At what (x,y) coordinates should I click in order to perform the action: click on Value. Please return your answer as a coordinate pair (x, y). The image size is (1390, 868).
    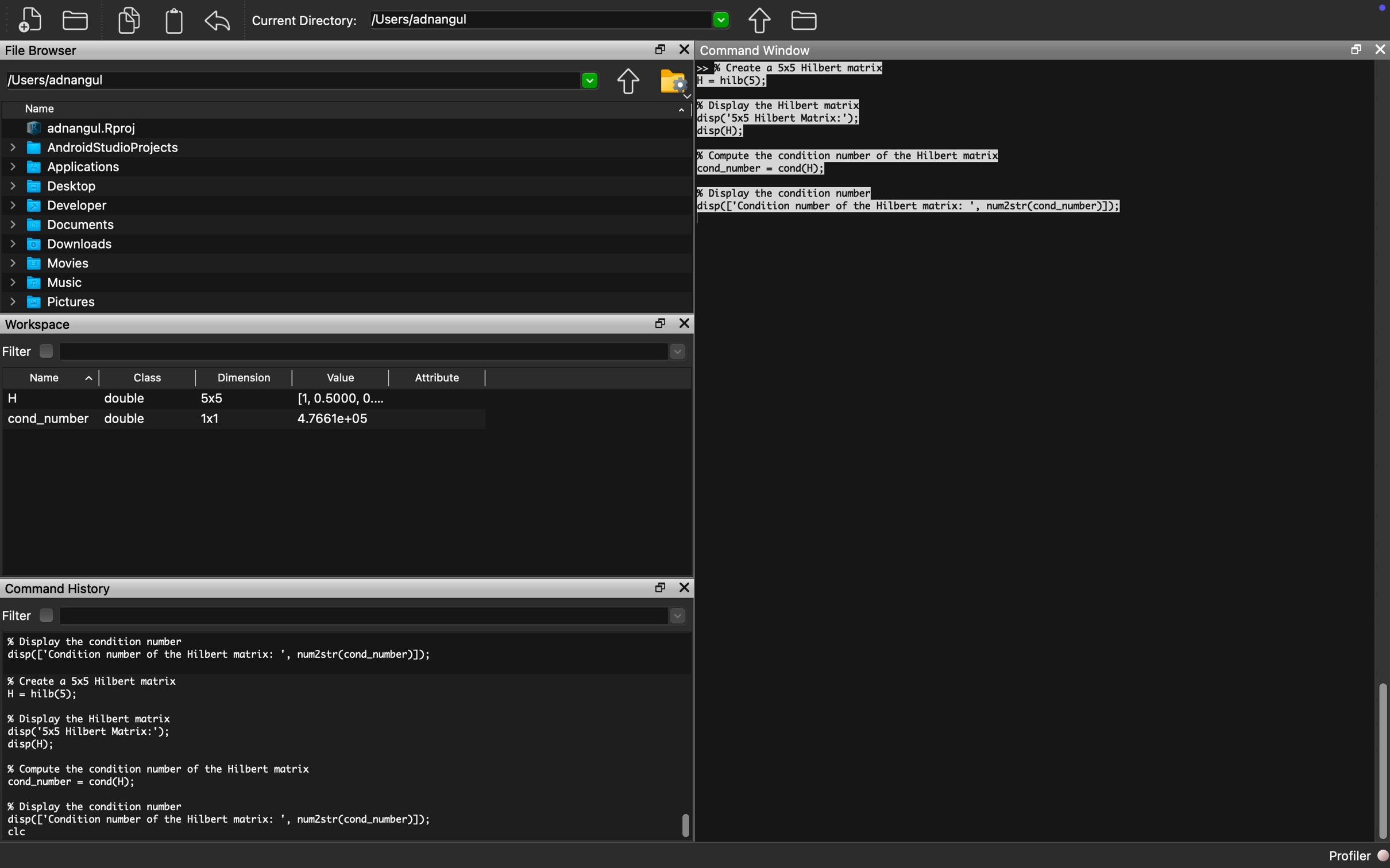
    Looking at the image, I should click on (339, 377).